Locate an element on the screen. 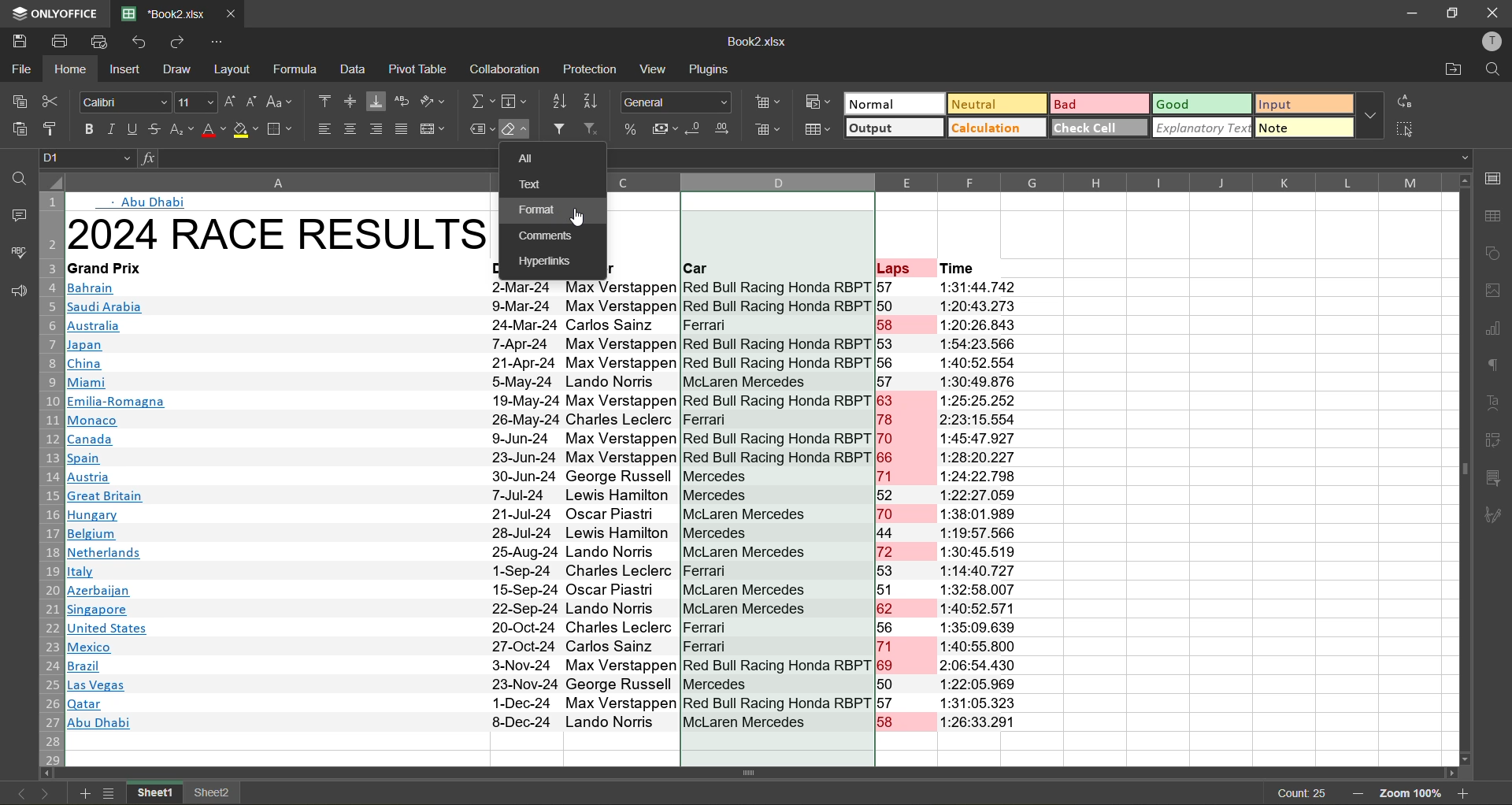 The width and height of the screenshot is (1512, 805). Laps is located at coordinates (893, 269).